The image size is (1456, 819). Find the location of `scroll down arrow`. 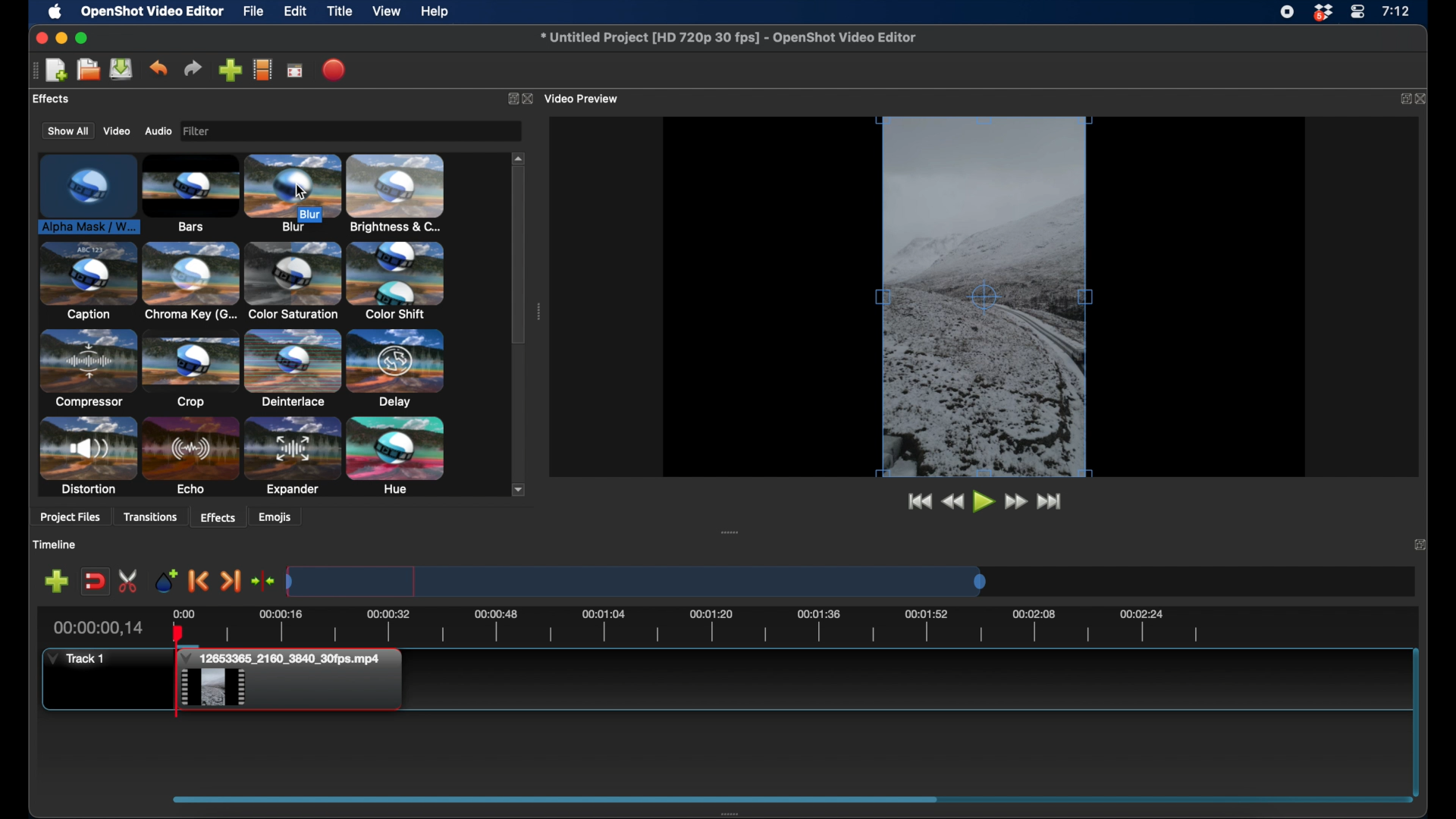

scroll down arrow is located at coordinates (519, 489).